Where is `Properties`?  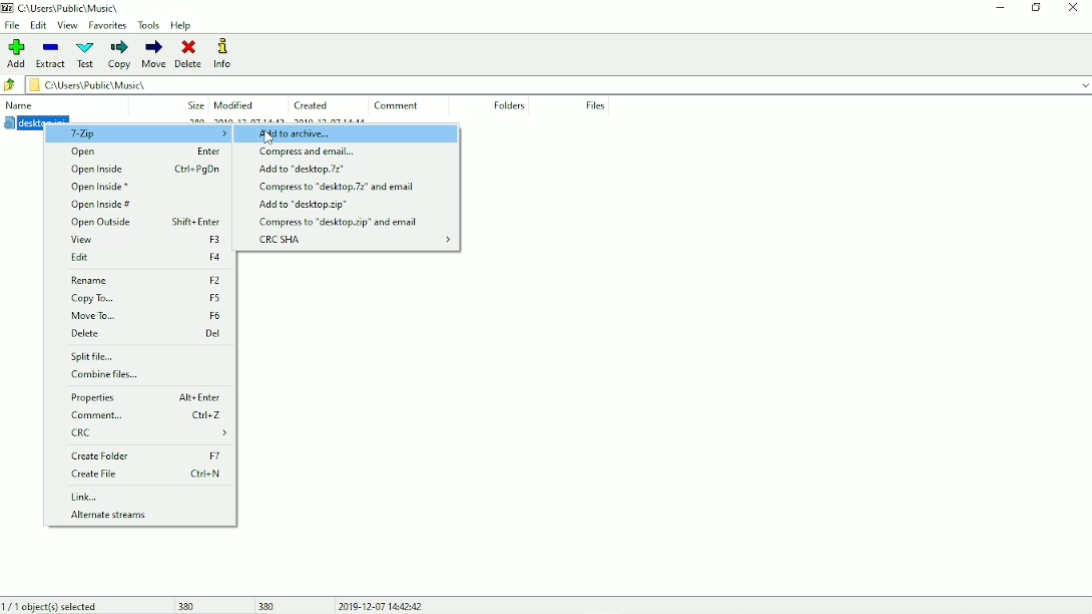
Properties is located at coordinates (148, 398).